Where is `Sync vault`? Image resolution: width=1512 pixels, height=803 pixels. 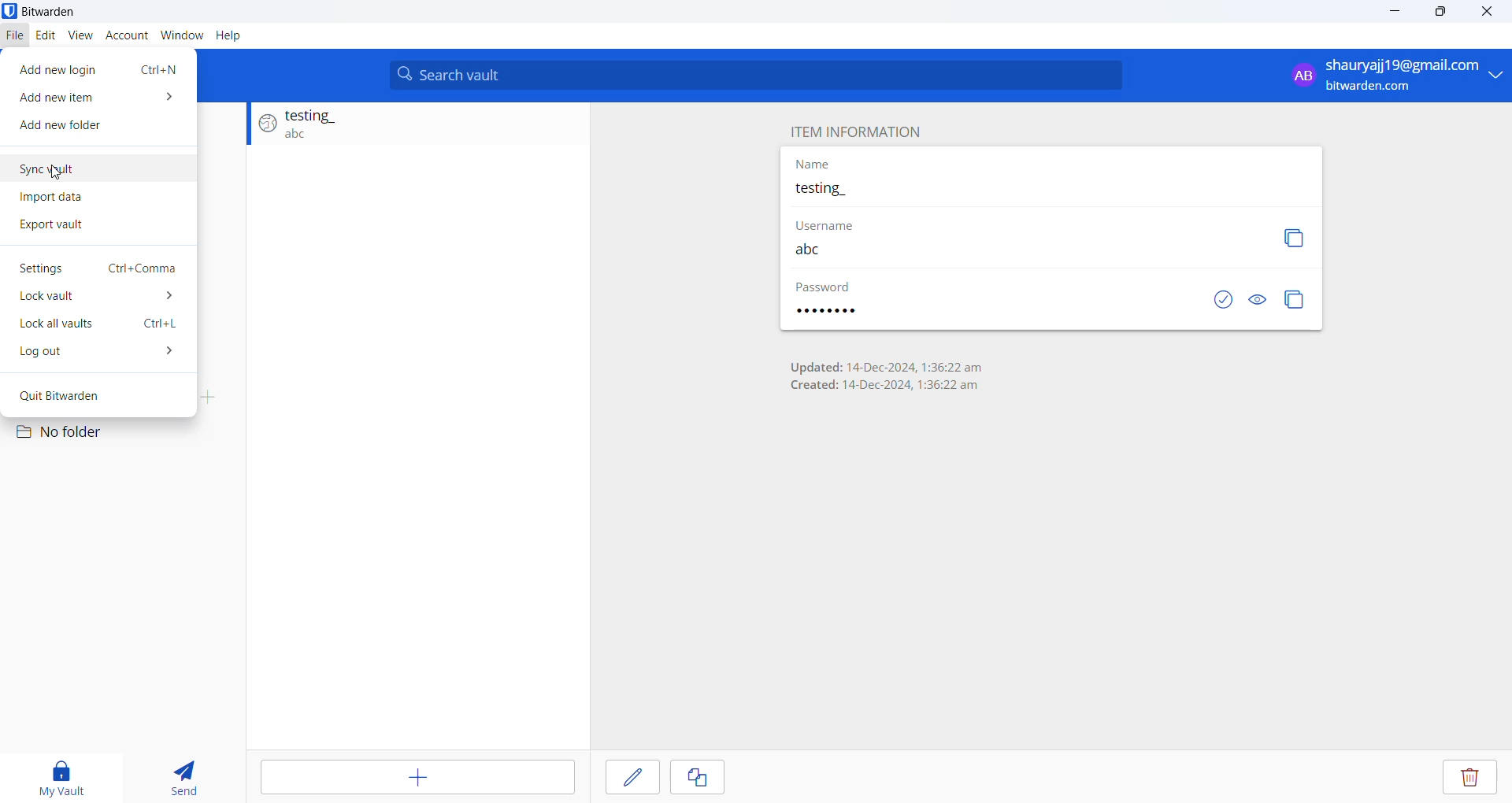 Sync vault is located at coordinates (100, 170).